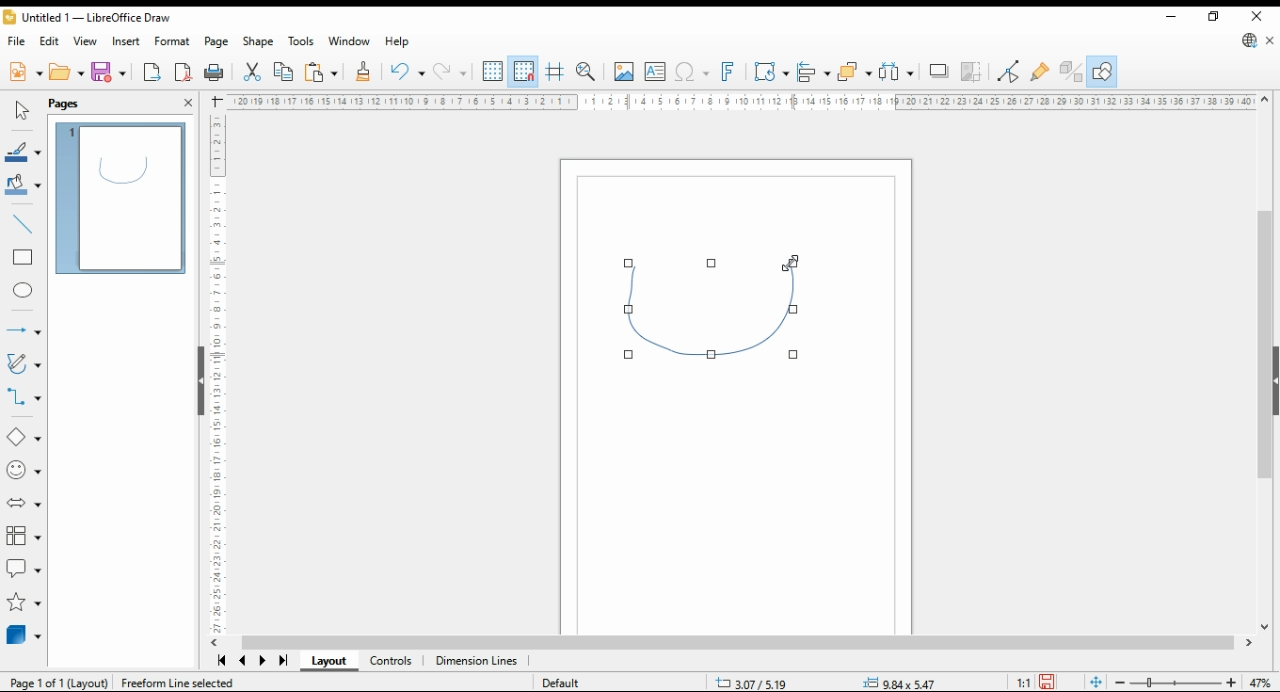 The width and height of the screenshot is (1280, 692). What do you see at coordinates (183, 73) in the screenshot?
I see `export as pdf` at bounding box center [183, 73].